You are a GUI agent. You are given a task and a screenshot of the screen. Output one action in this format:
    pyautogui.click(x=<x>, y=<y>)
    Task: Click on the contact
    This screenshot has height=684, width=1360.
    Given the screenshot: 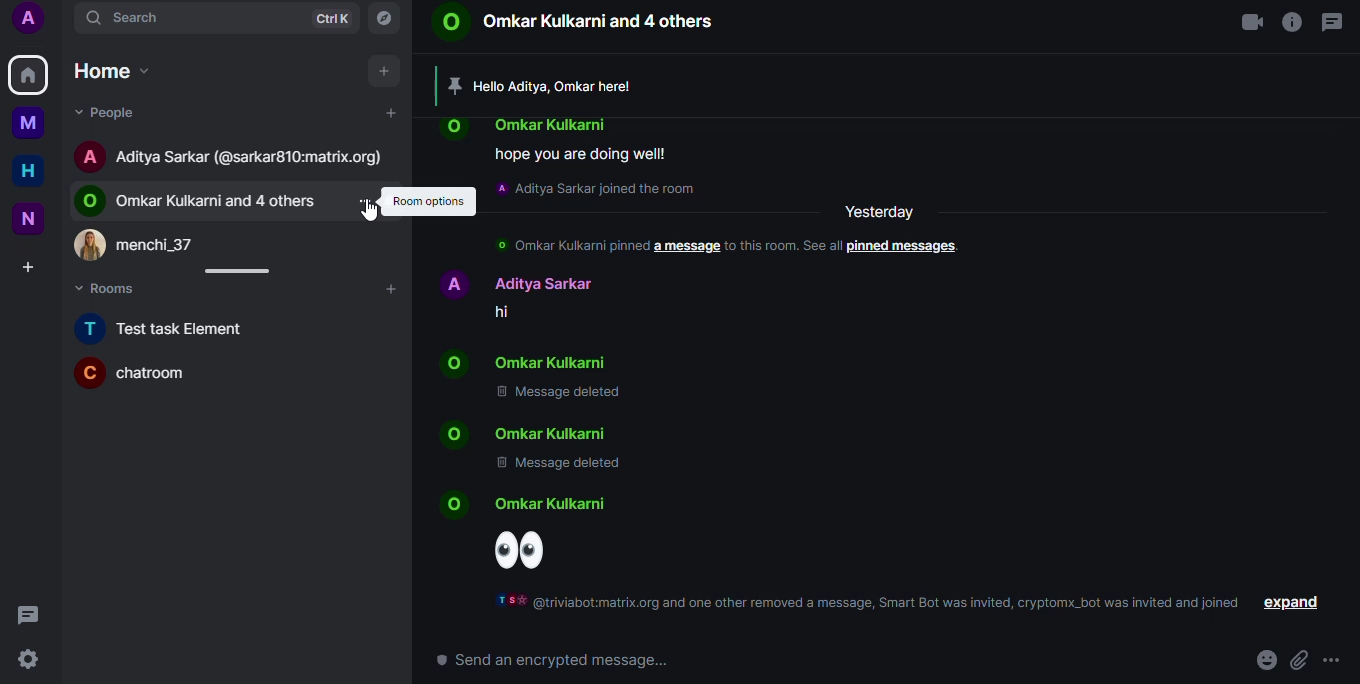 What is the action you would take?
    pyautogui.click(x=203, y=200)
    